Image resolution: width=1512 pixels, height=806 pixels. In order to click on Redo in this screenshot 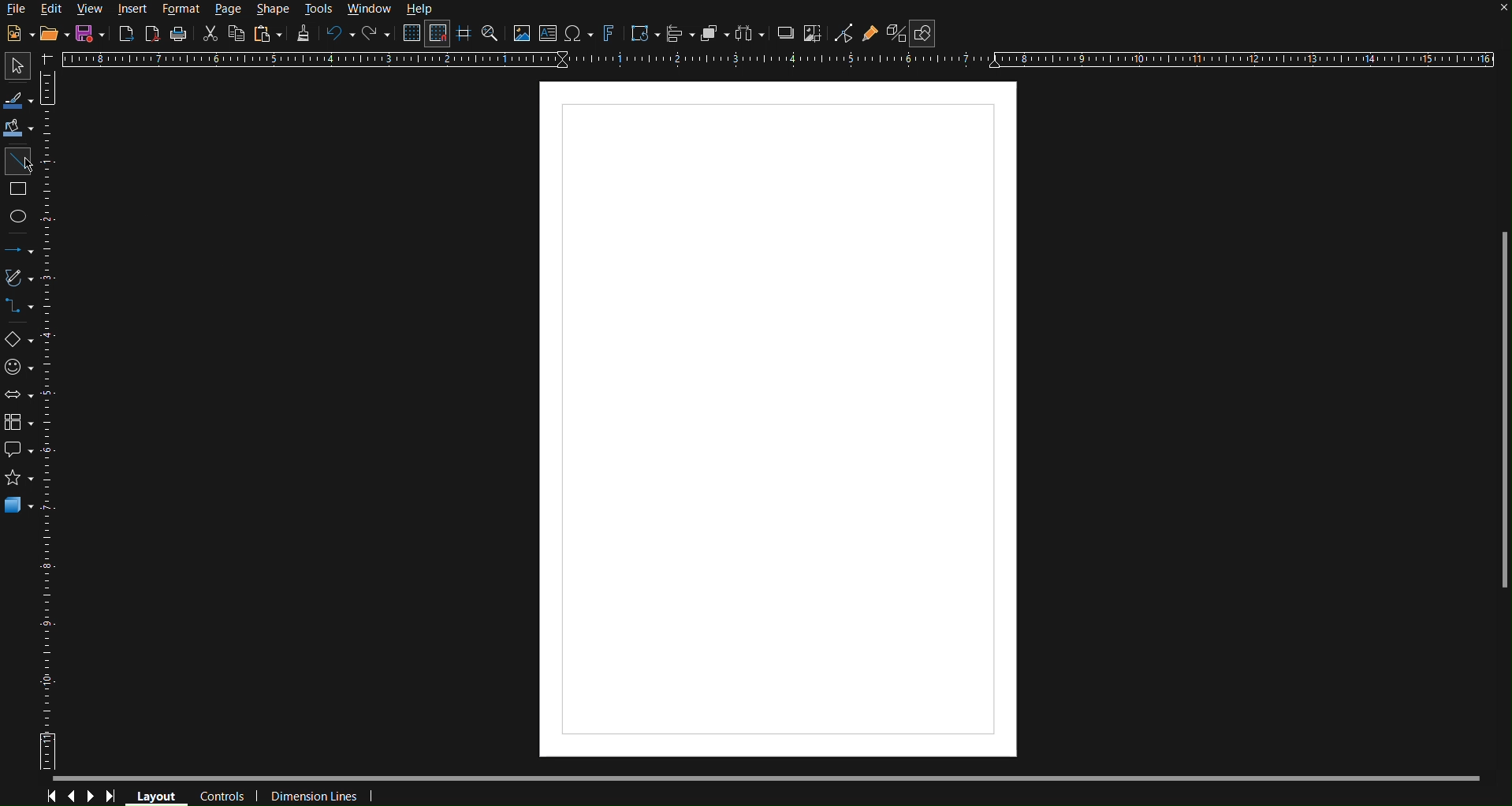, I will do `click(378, 34)`.